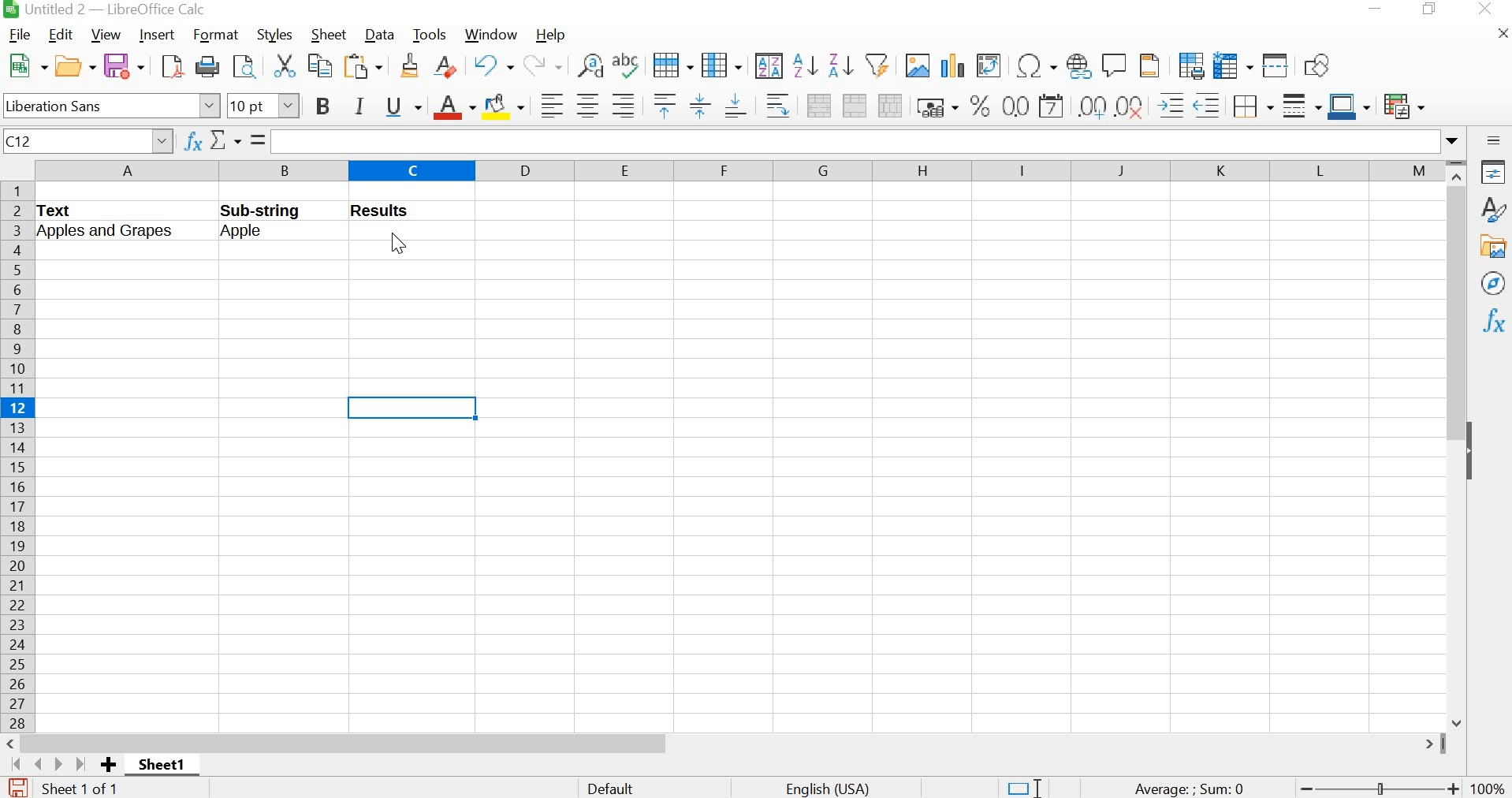 The height and width of the screenshot is (798, 1512). I want to click on close document, so click(1502, 32).